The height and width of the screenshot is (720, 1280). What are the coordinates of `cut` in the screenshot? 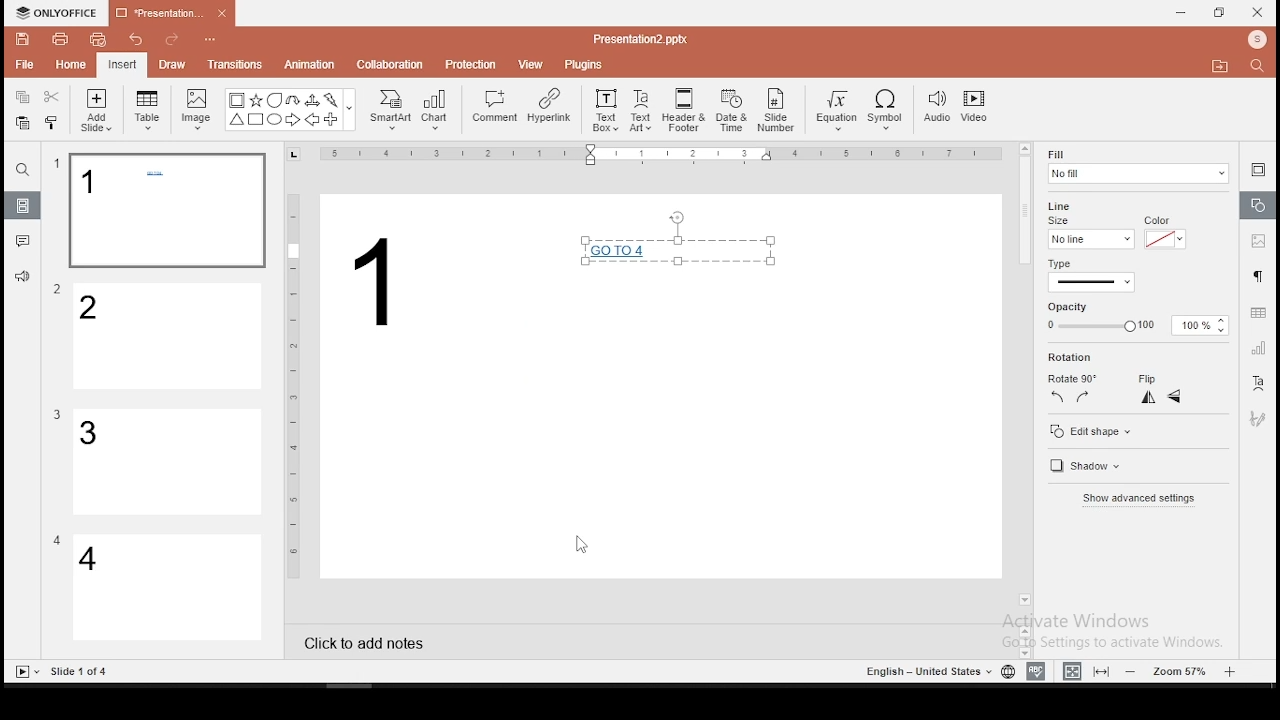 It's located at (52, 96).